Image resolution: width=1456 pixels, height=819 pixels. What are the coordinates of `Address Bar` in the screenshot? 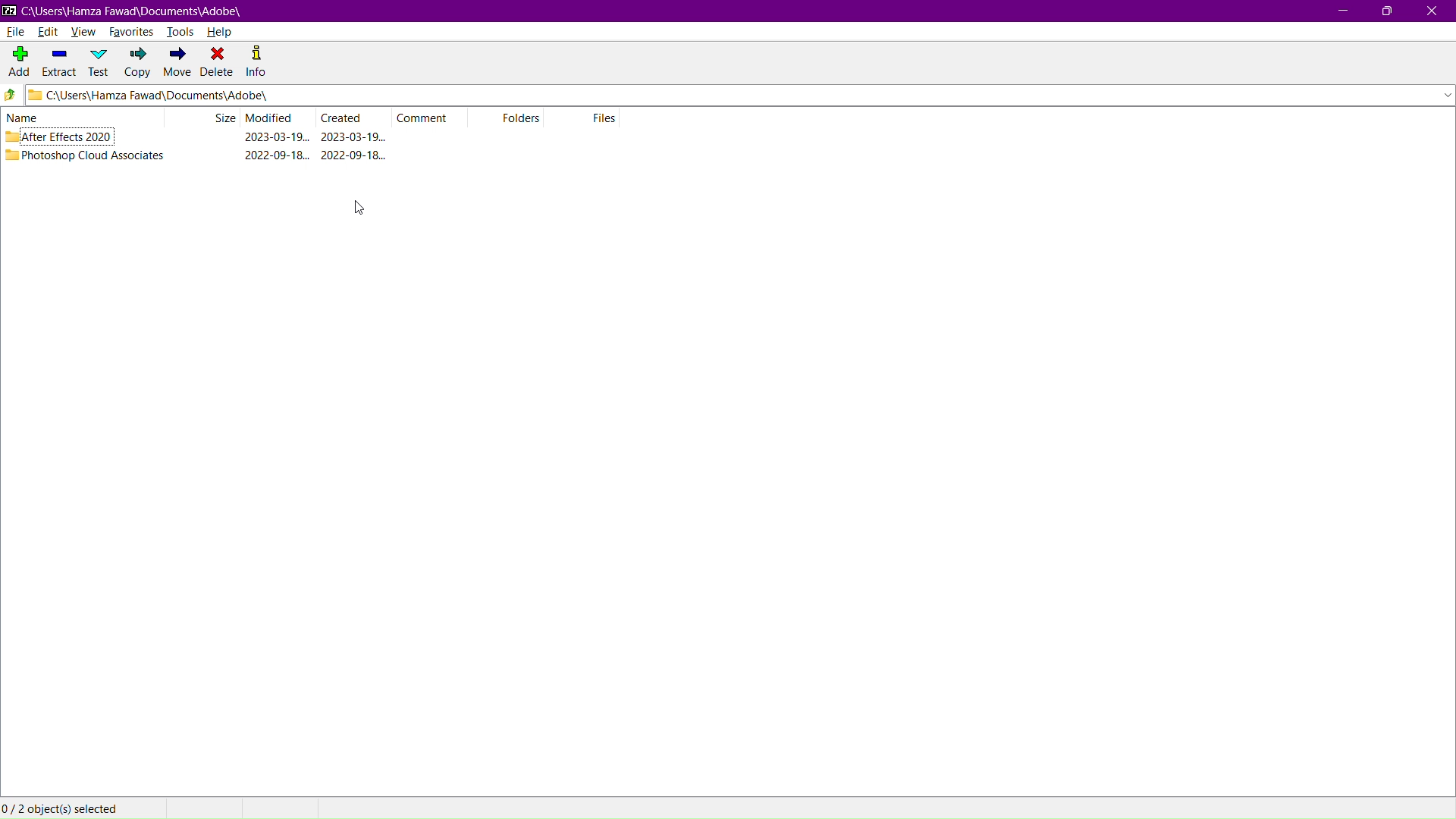 It's located at (739, 96).